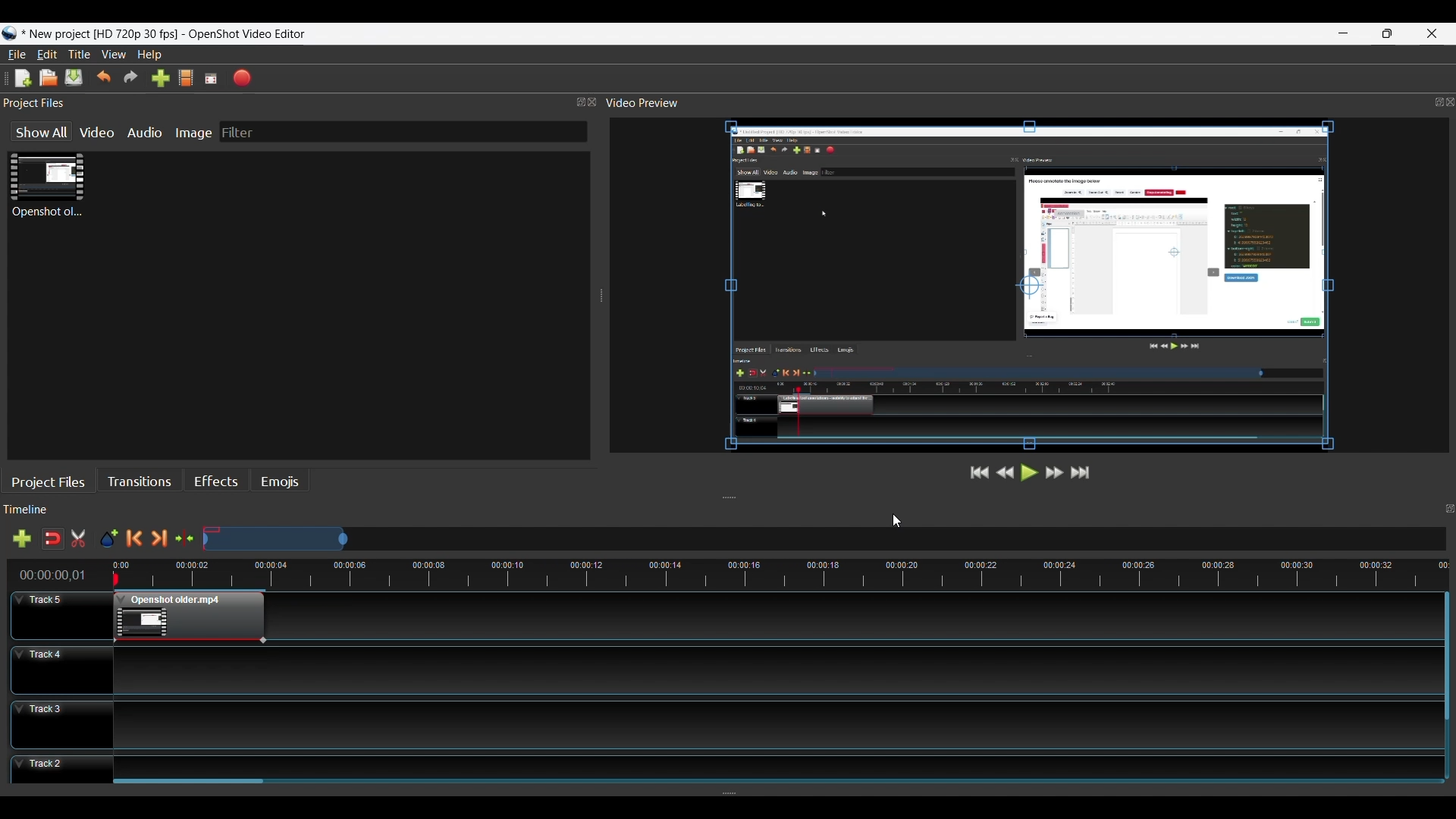 This screenshot has width=1456, height=819. Describe the element at coordinates (199, 511) in the screenshot. I see `Timeline Panel` at that location.